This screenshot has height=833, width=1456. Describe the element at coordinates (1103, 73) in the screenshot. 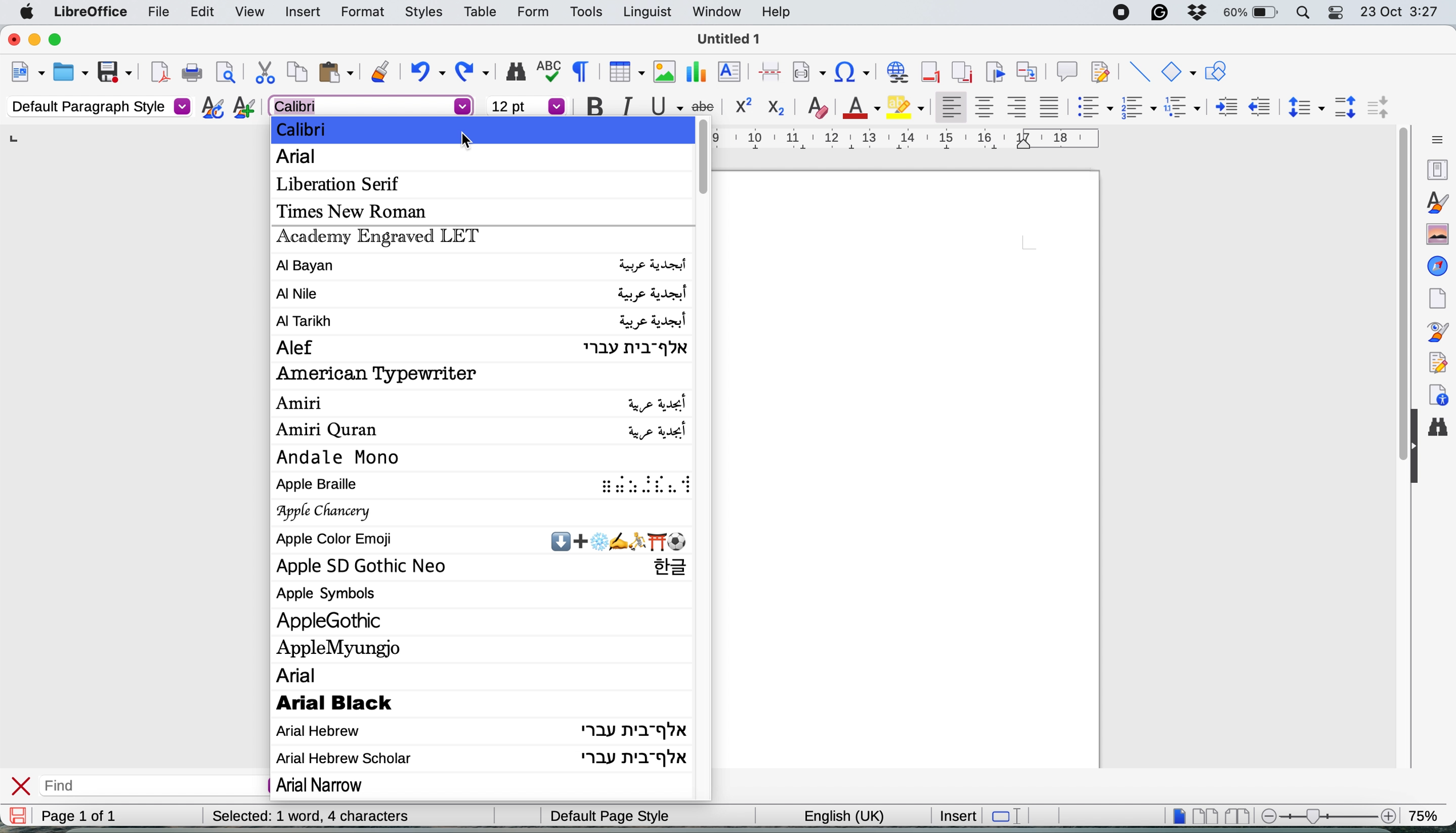

I see `show track change functions` at that location.